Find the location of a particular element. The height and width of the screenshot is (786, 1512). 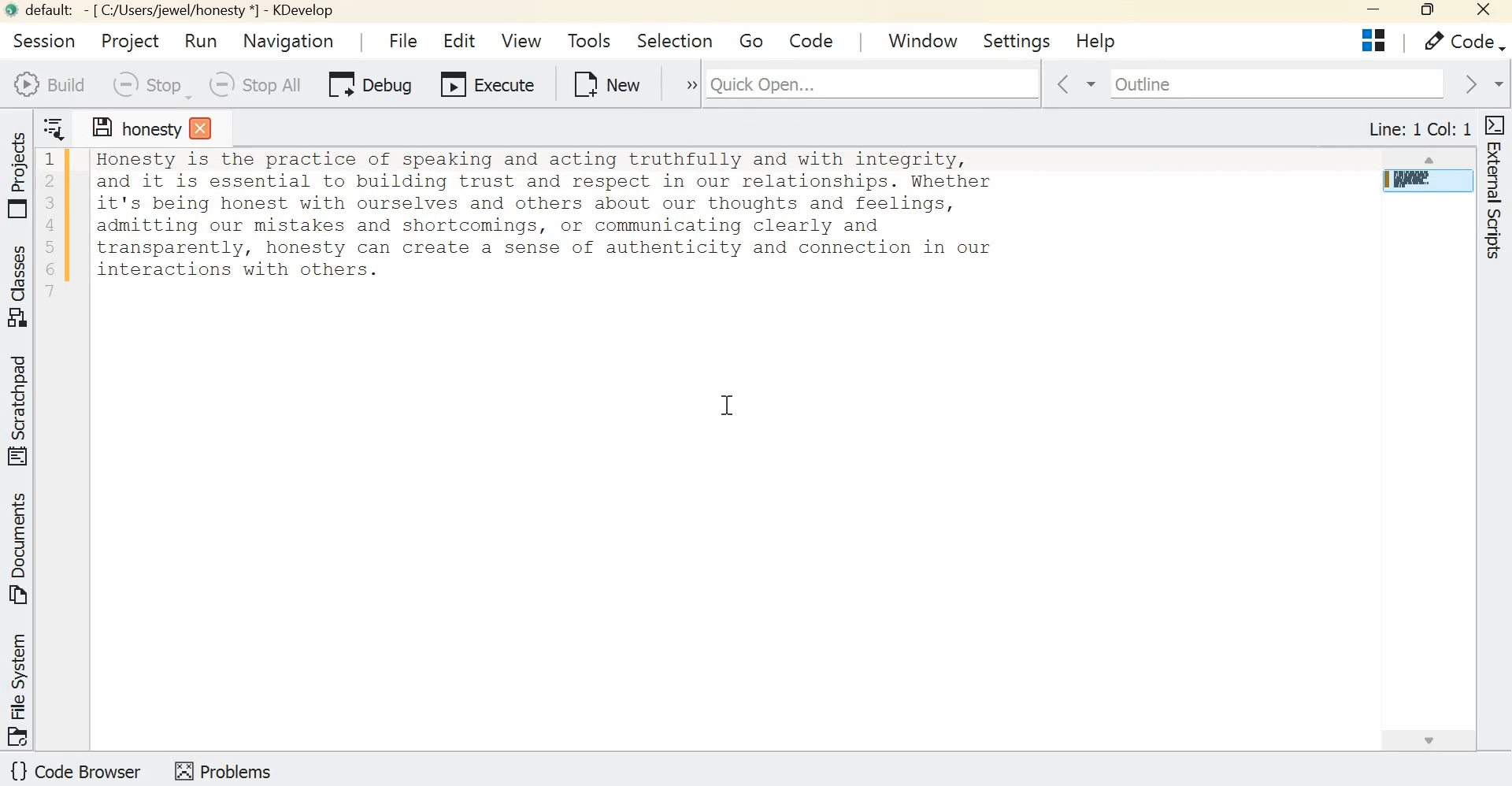

Session is located at coordinates (40, 39).